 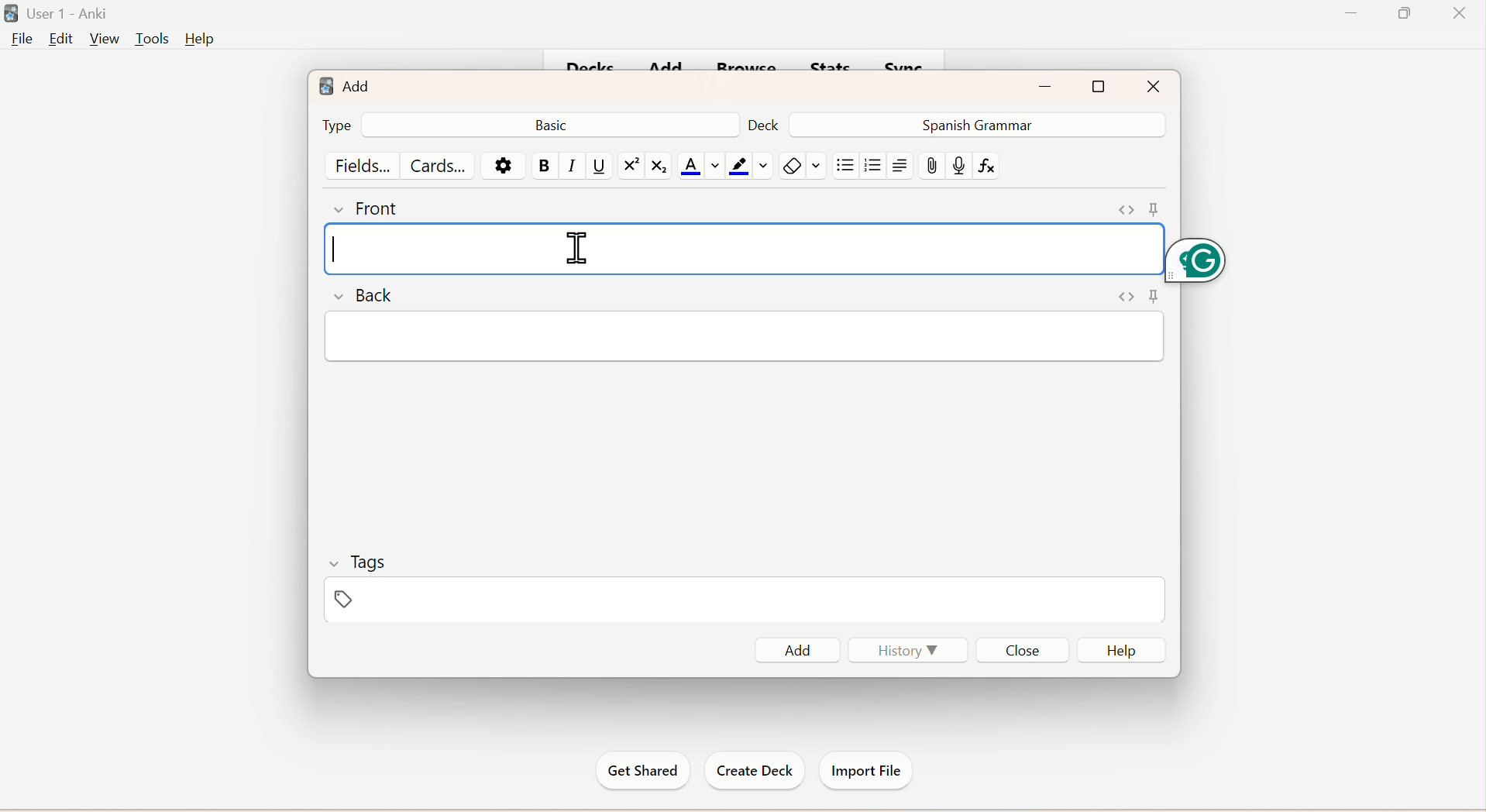 I want to click on Basic, so click(x=555, y=124).